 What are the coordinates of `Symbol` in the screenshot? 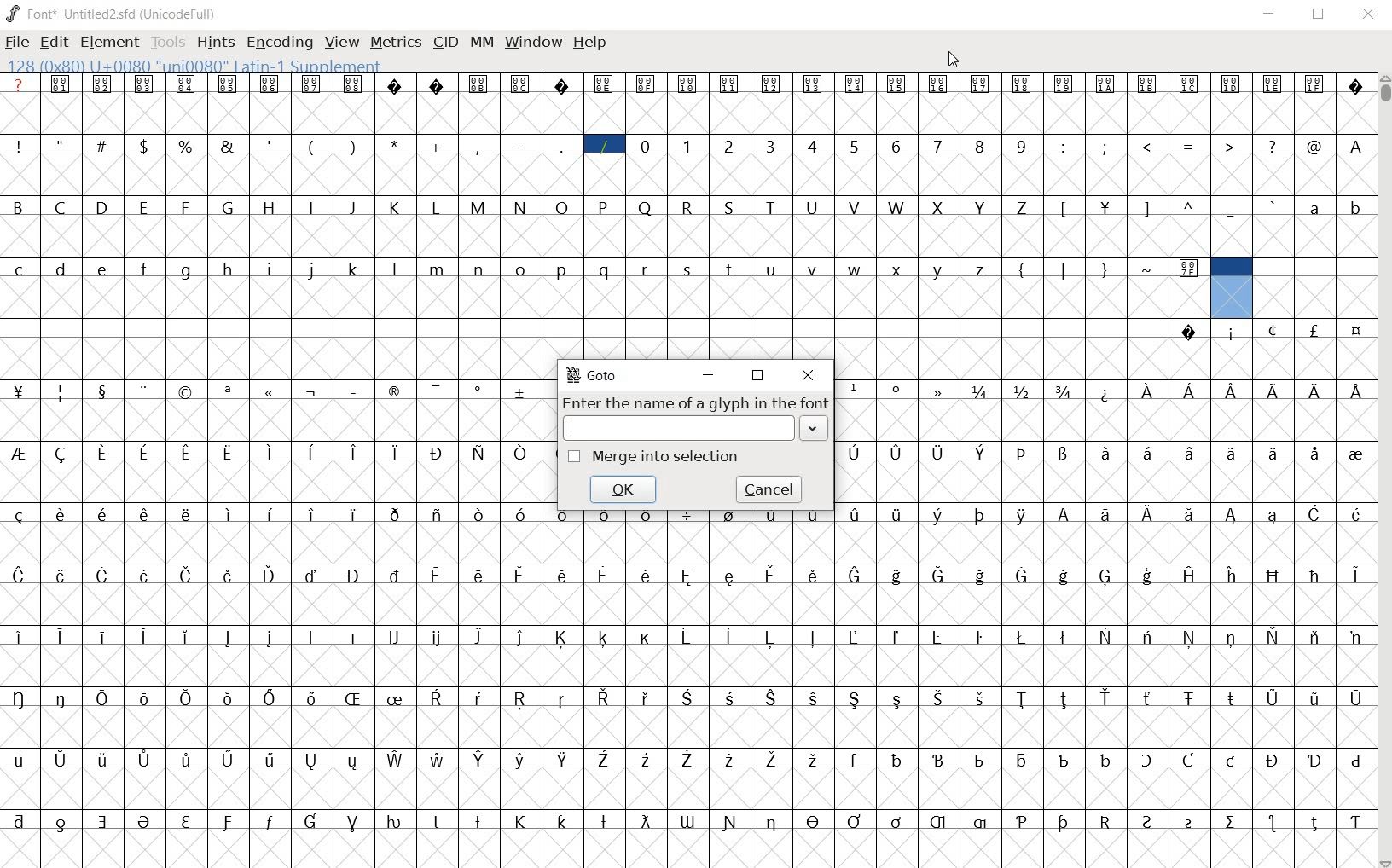 It's located at (481, 390).